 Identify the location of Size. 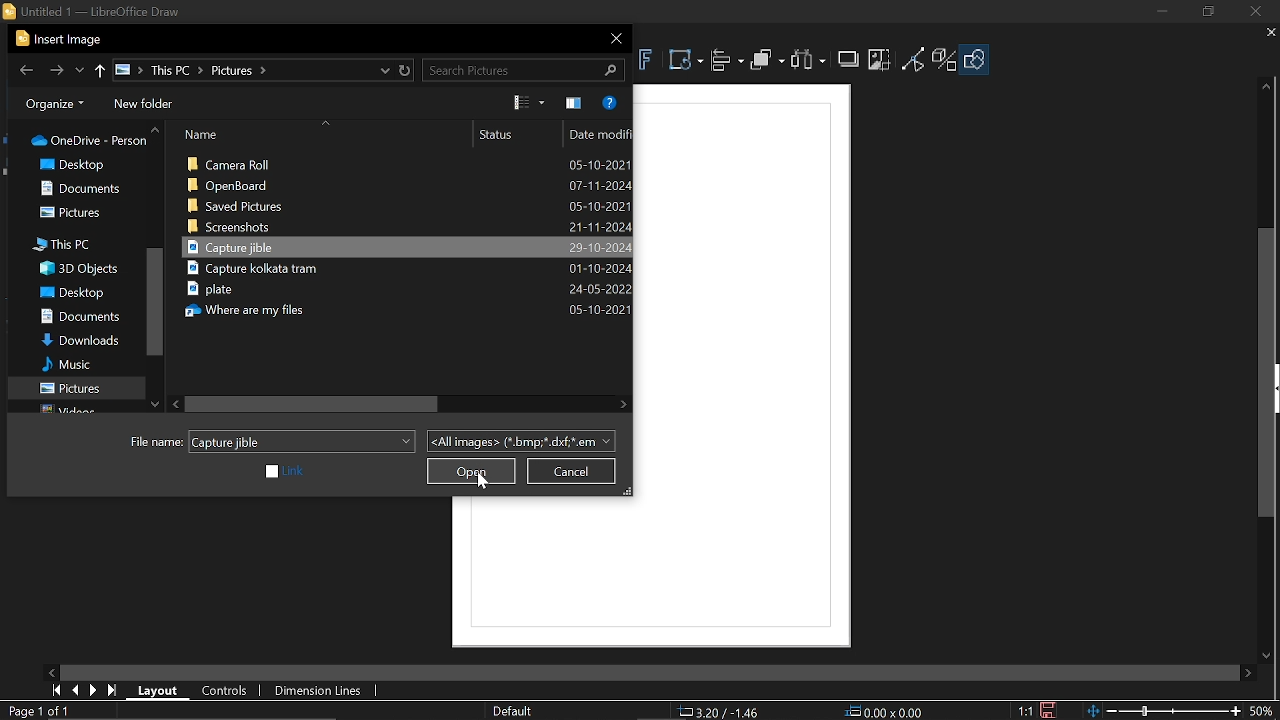
(886, 712).